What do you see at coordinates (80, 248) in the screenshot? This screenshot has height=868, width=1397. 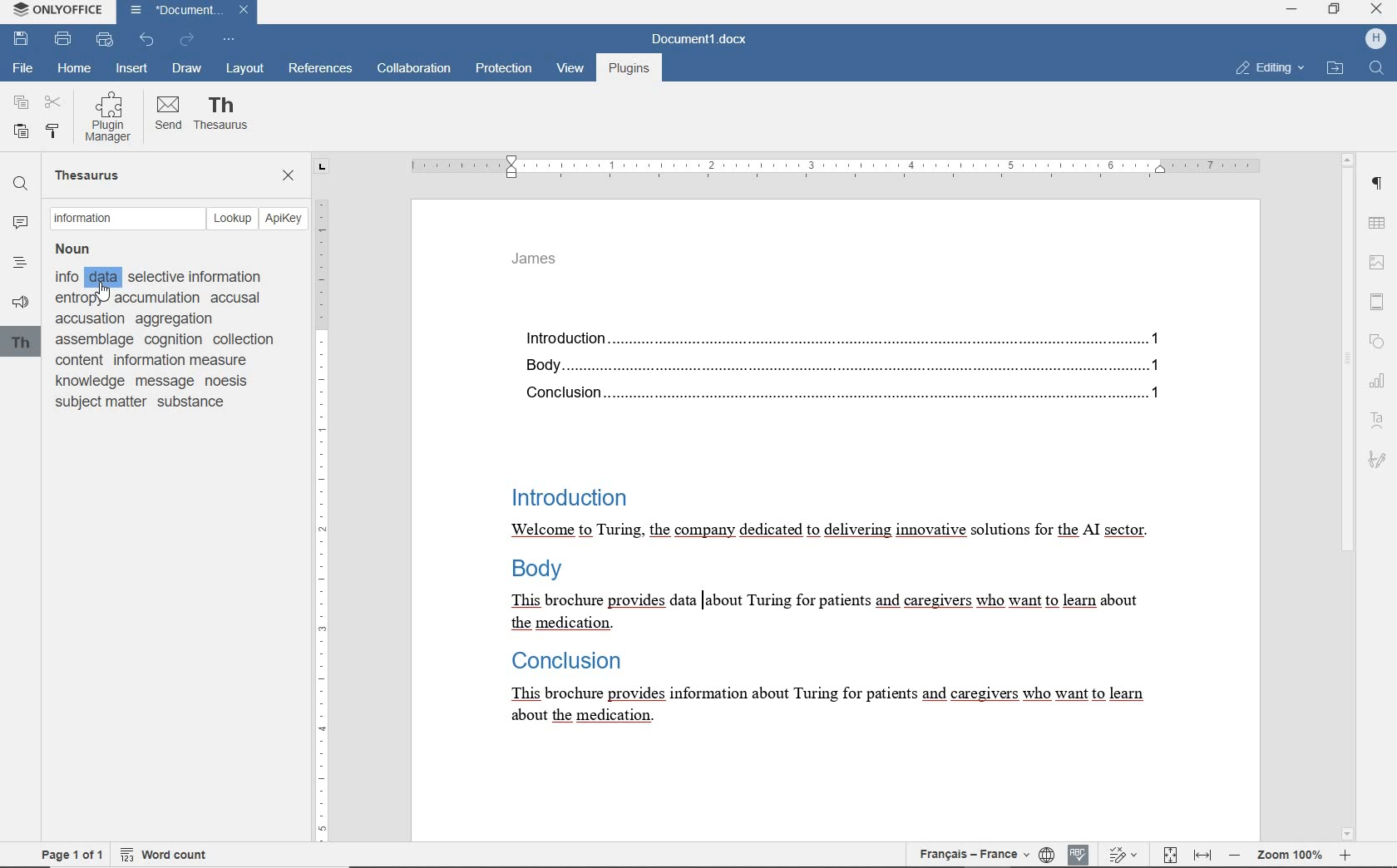 I see `Noun` at bounding box center [80, 248].